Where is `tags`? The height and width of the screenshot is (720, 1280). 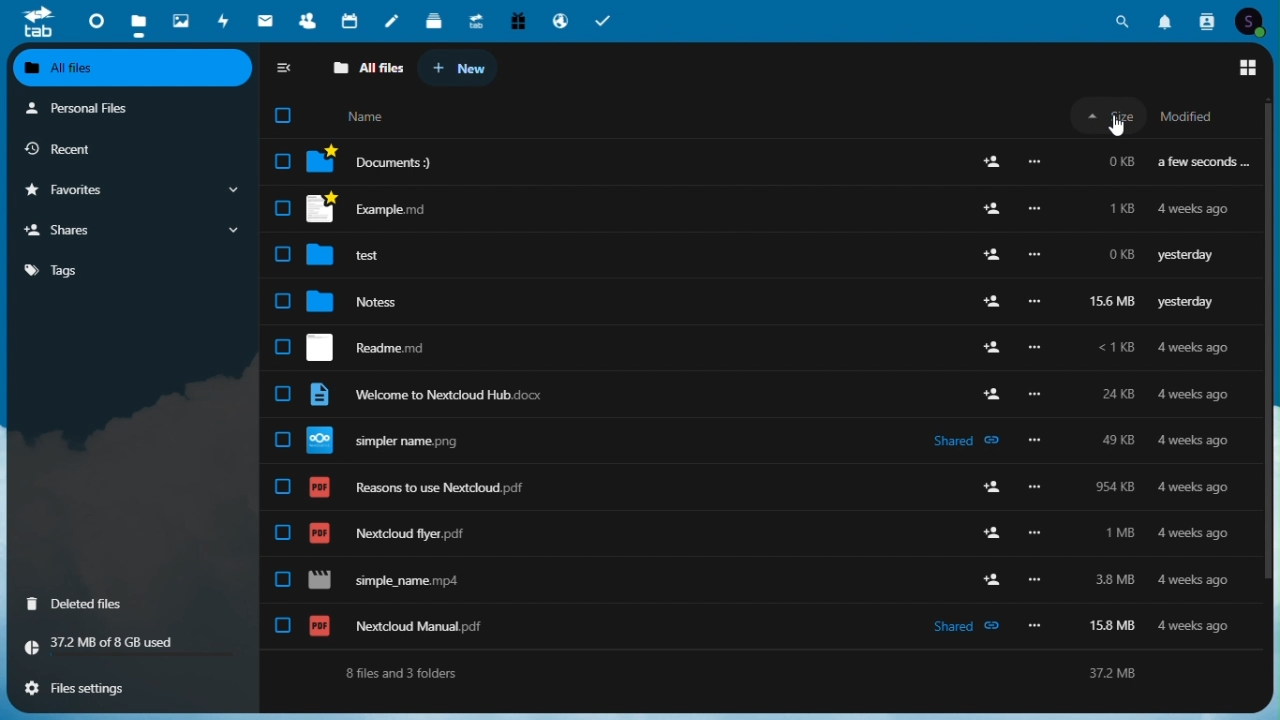
tags is located at coordinates (131, 271).